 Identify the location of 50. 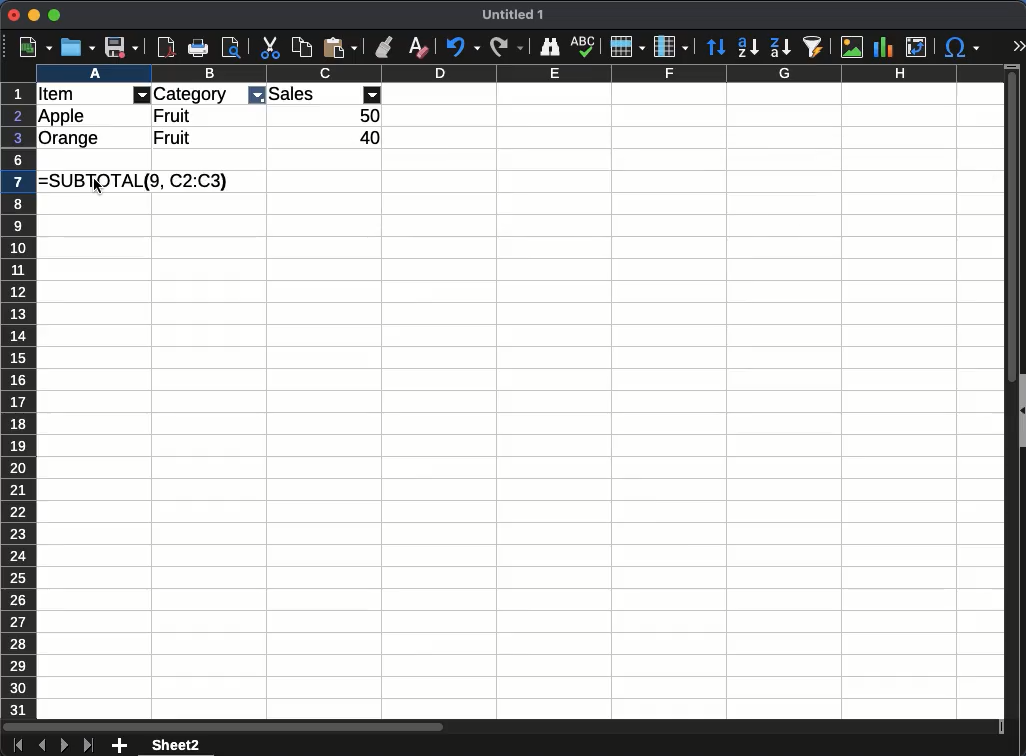
(370, 116).